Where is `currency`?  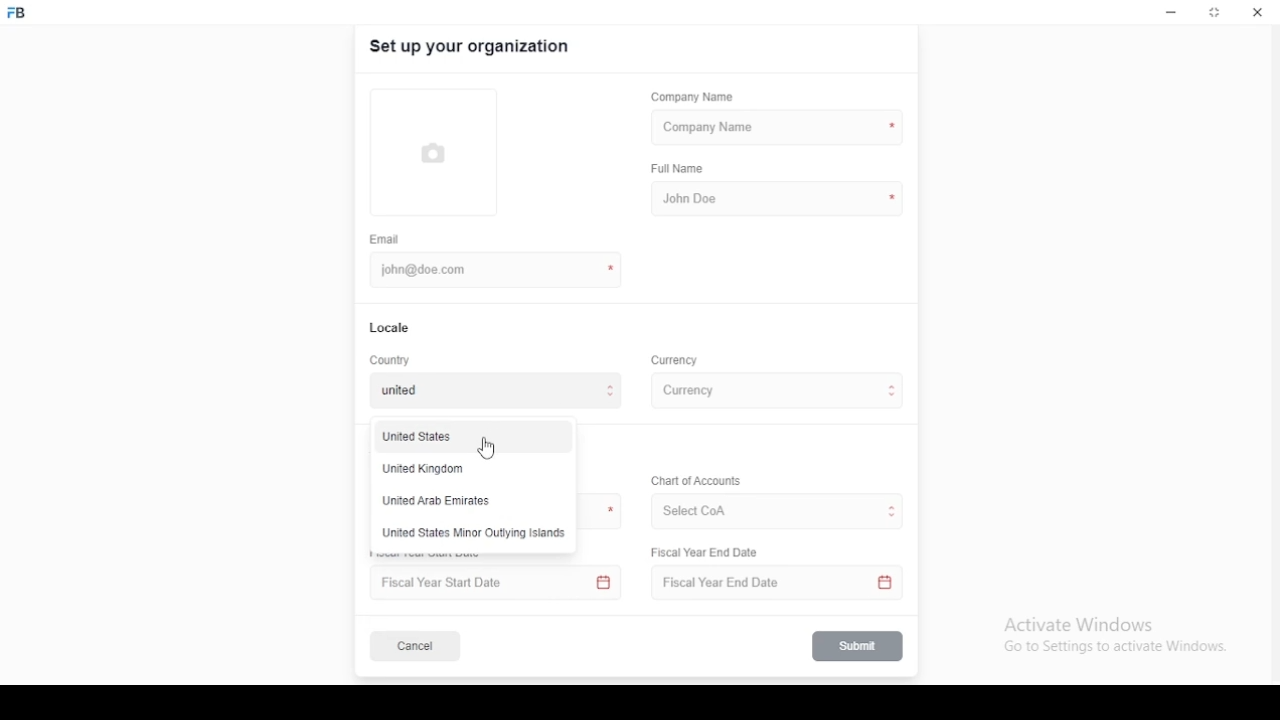
currency is located at coordinates (689, 390).